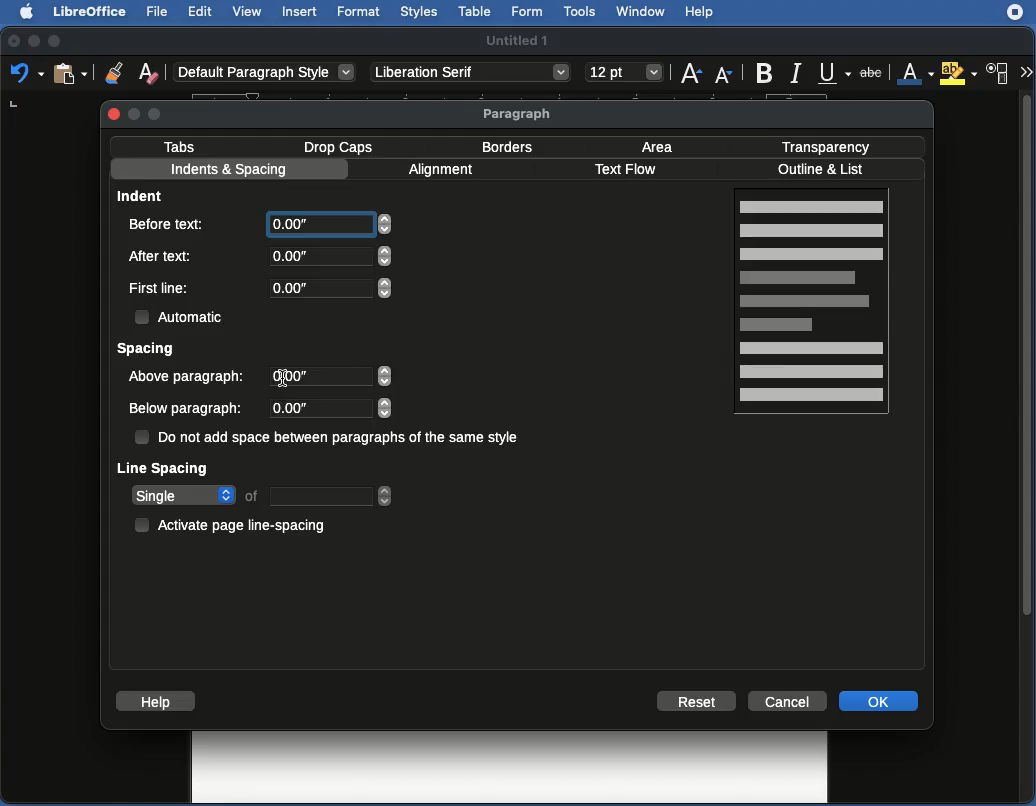  Describe the element at coordinates (329, 287) in the screenshot. I see `0.00"` at that location.